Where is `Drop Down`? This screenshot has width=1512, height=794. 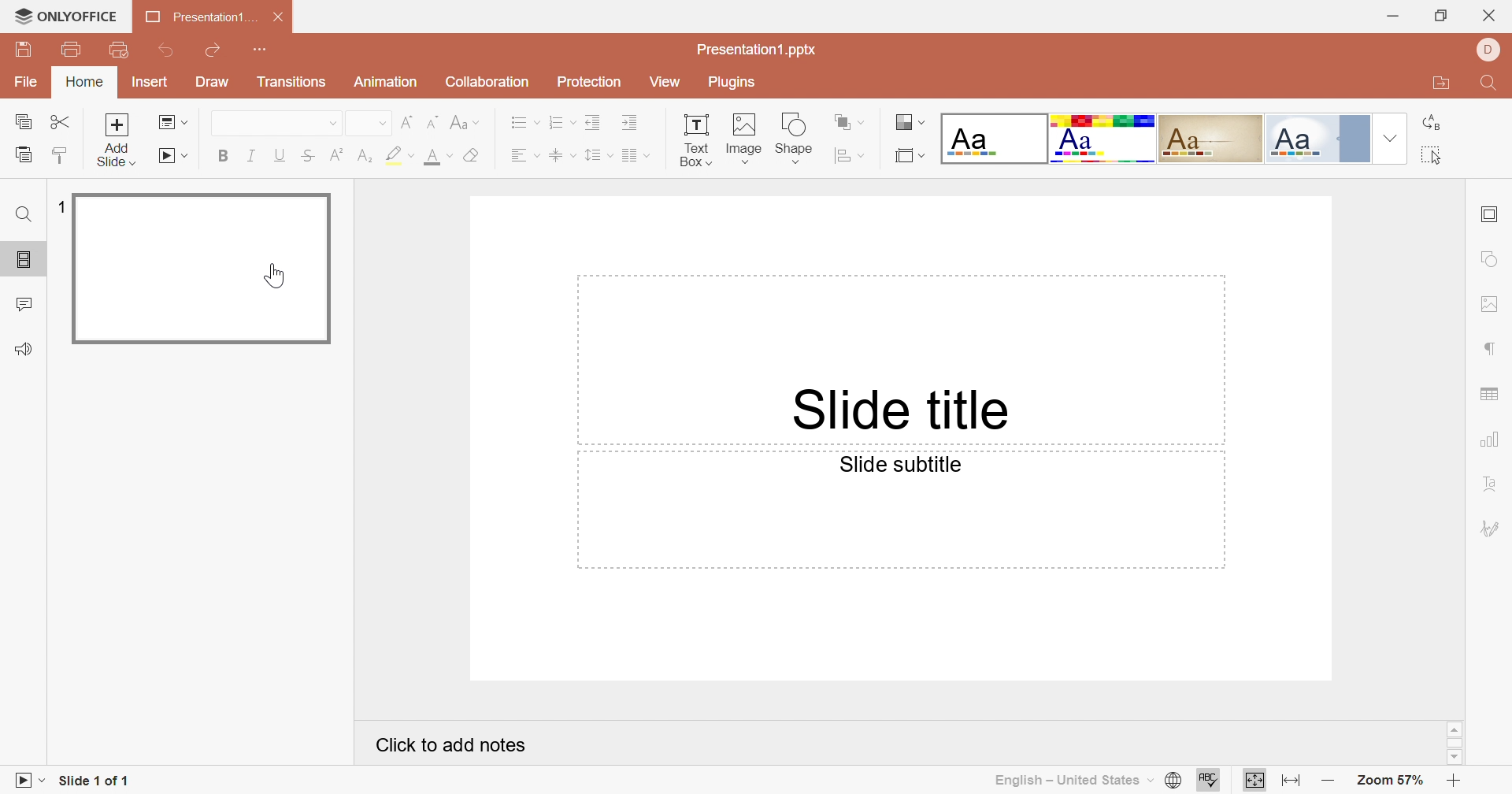 Drop Down is located at coordinates (610, 155).